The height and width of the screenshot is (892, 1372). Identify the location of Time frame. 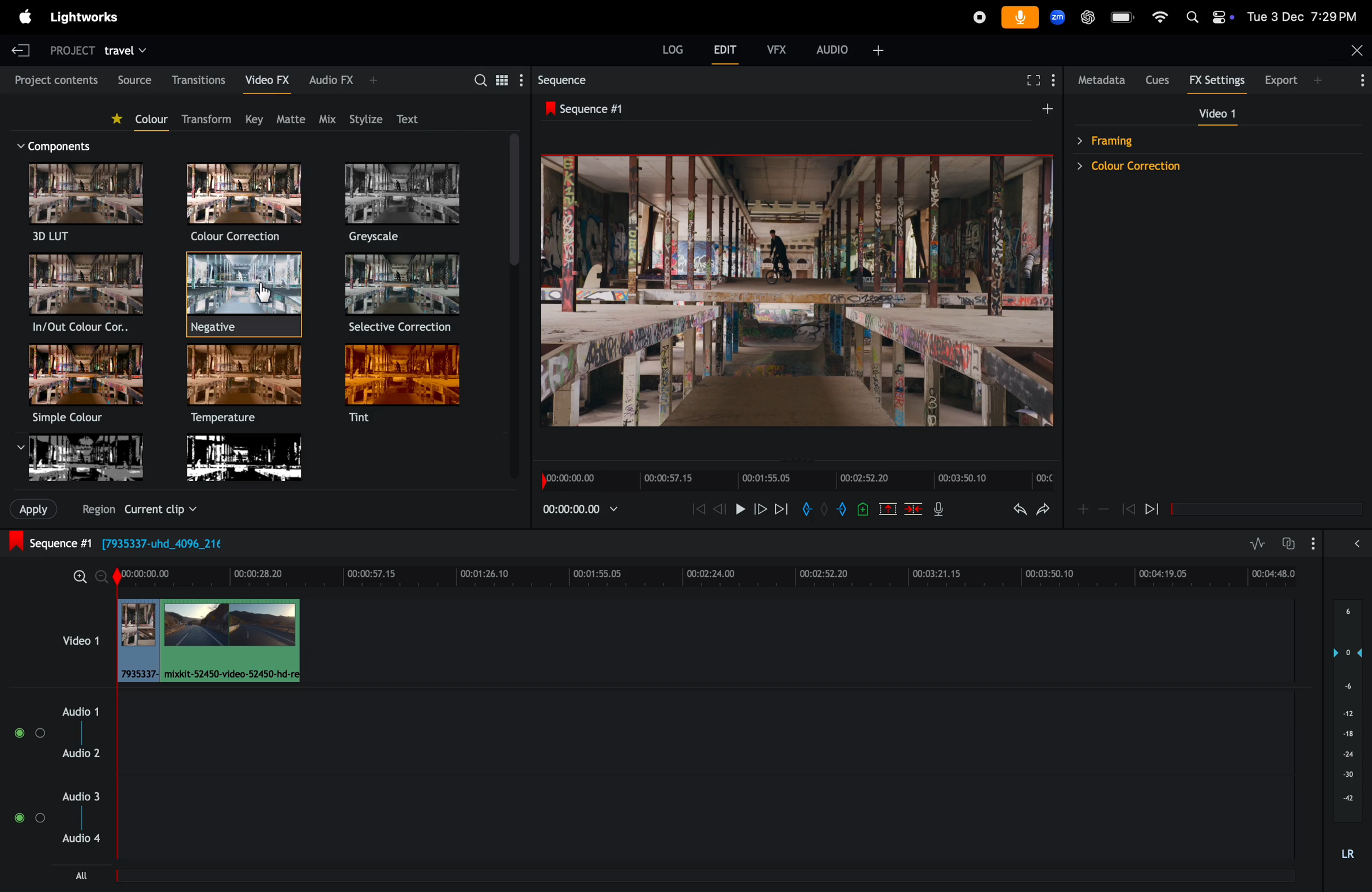
(793, 481).